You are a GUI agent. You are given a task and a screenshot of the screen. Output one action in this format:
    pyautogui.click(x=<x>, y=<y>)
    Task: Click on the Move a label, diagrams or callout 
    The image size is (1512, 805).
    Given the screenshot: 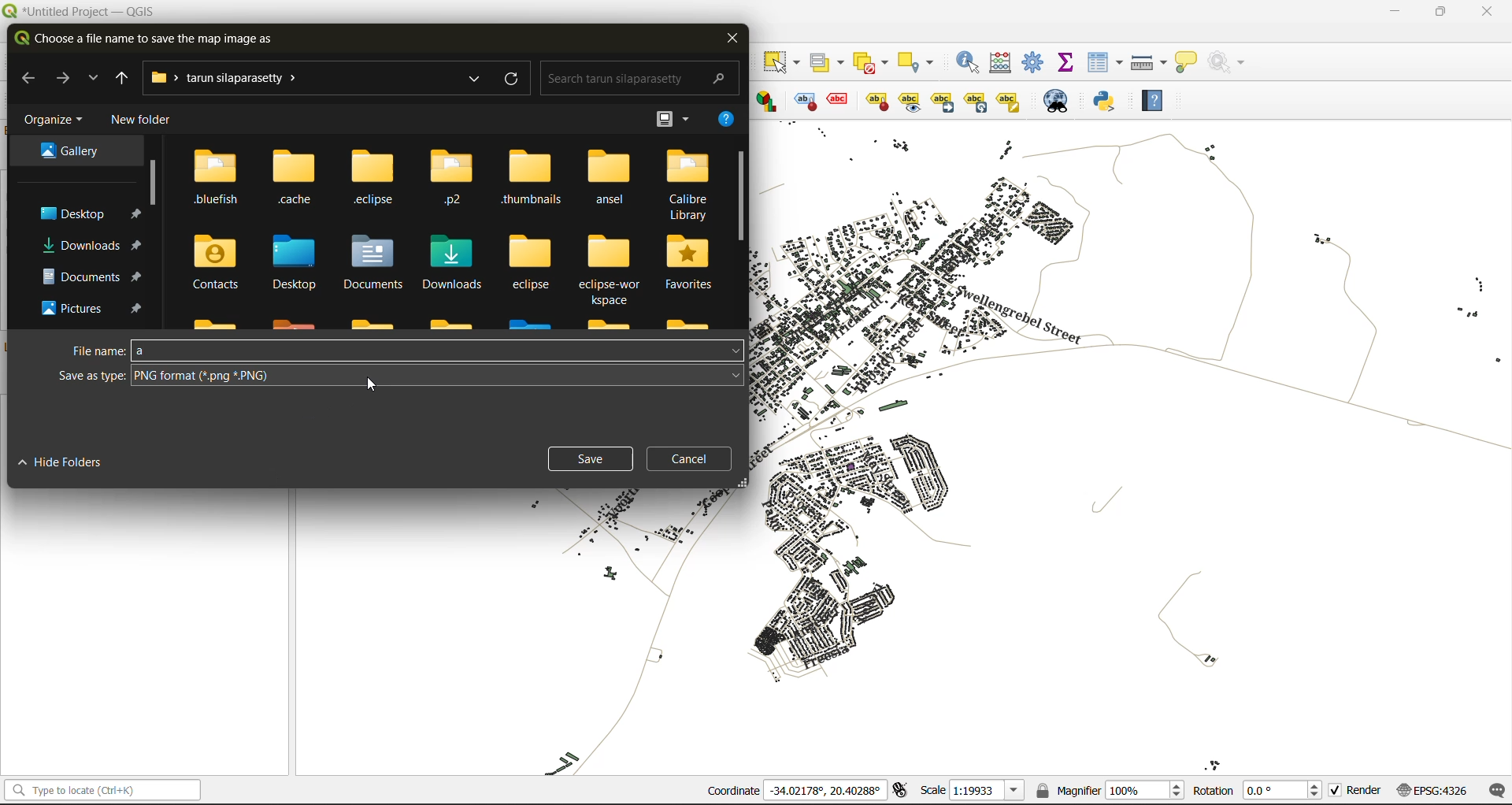 What is the action you would take?
    pyautogui.click(x=910, y=101)
    